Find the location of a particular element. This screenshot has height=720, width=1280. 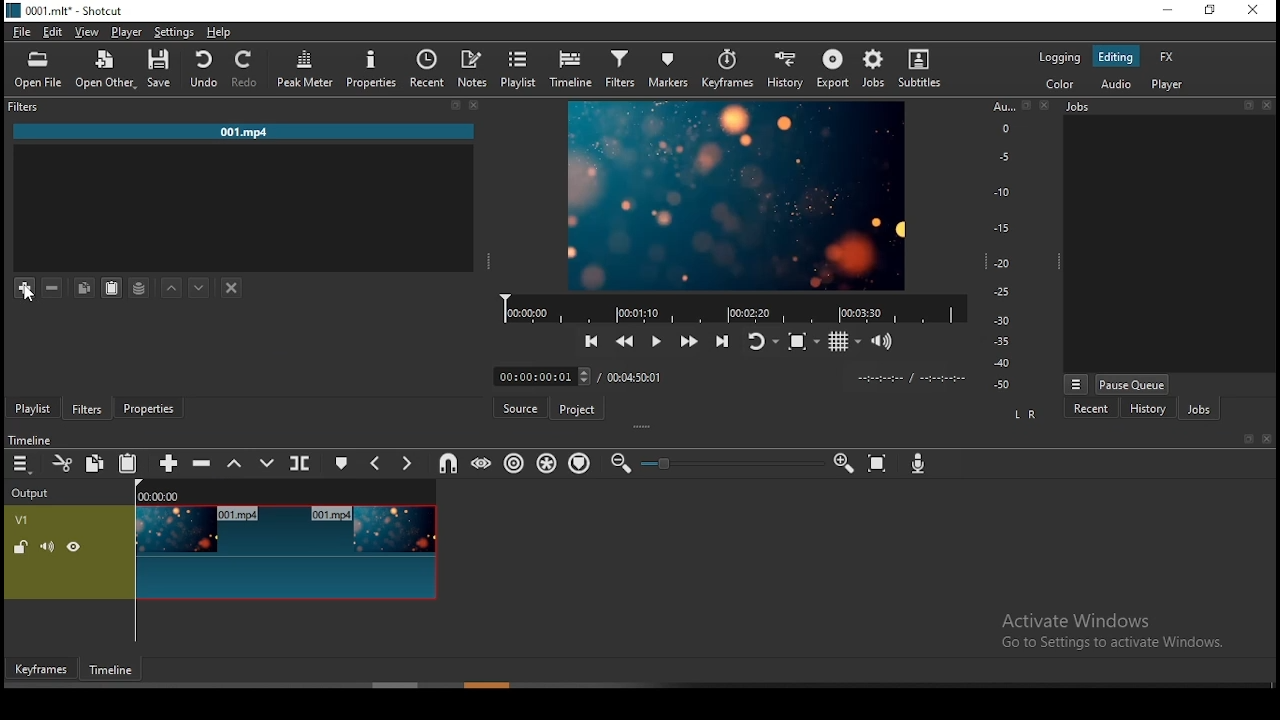

jobs is located at coordinates (873, 72).